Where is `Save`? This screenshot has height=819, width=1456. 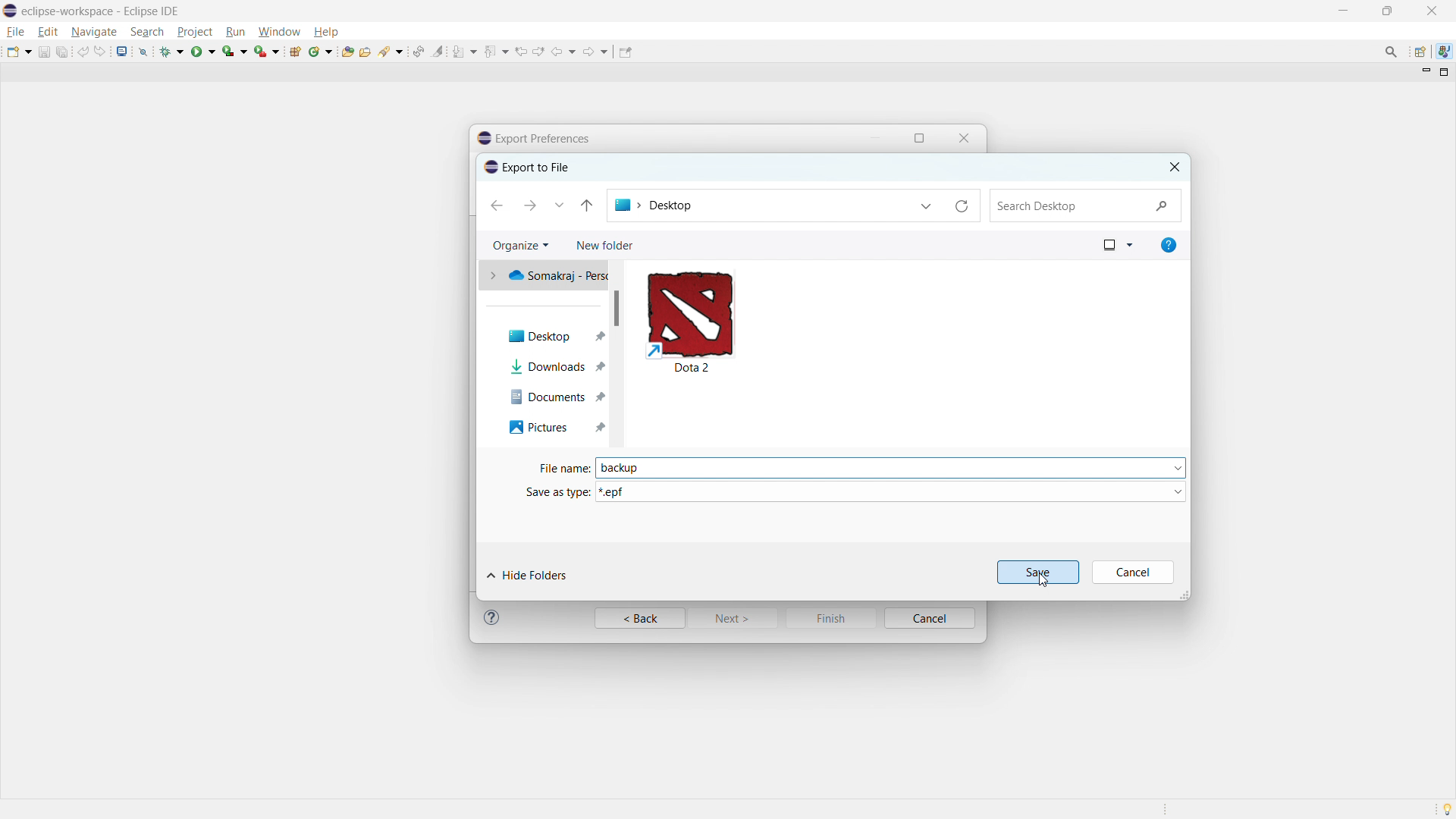 Save is located at coordinates (1036, 570).